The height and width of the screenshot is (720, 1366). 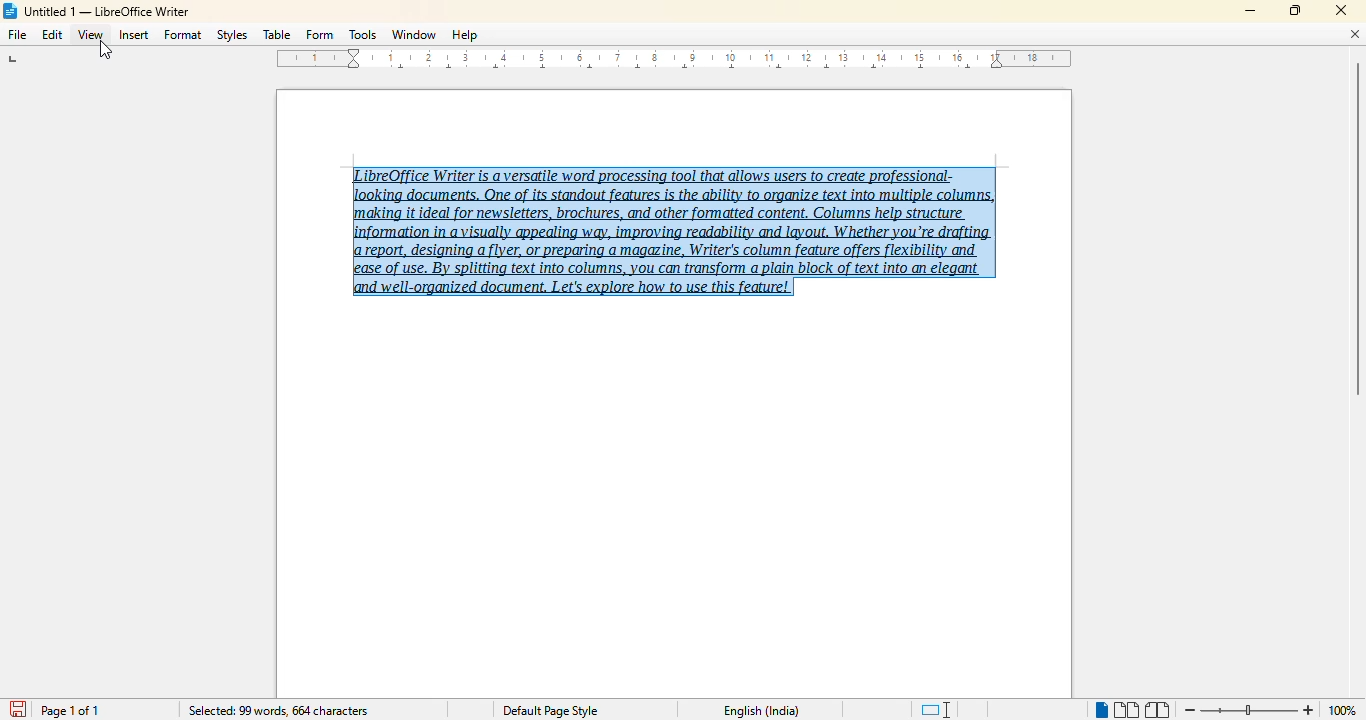 What do you see at coordinates (363, 35) in the screenshot?
I see `tools` at bounding box center [363, 35].